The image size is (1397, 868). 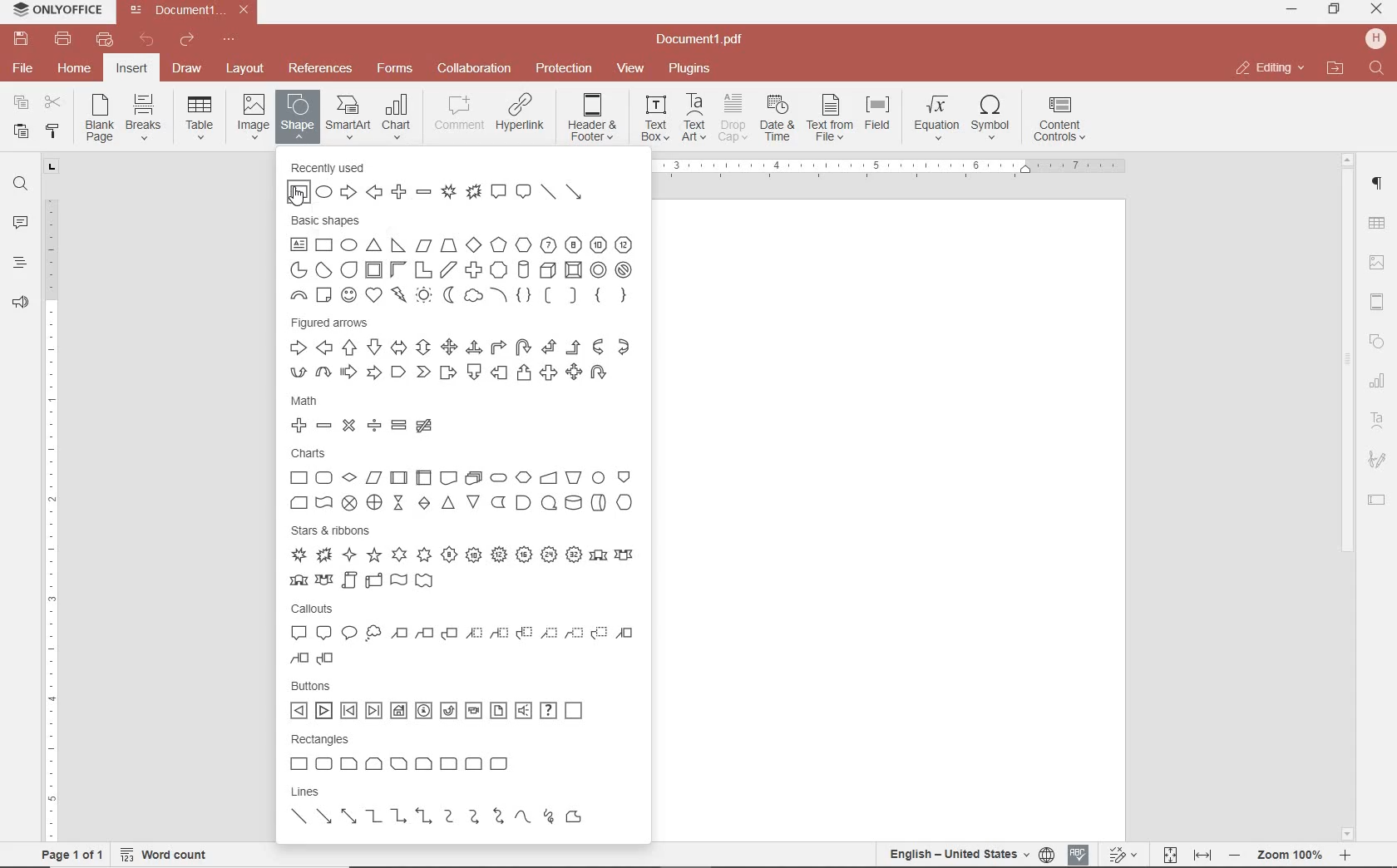 I want to click on INSERT BLANK PAGE, so click(x=99, y=117).